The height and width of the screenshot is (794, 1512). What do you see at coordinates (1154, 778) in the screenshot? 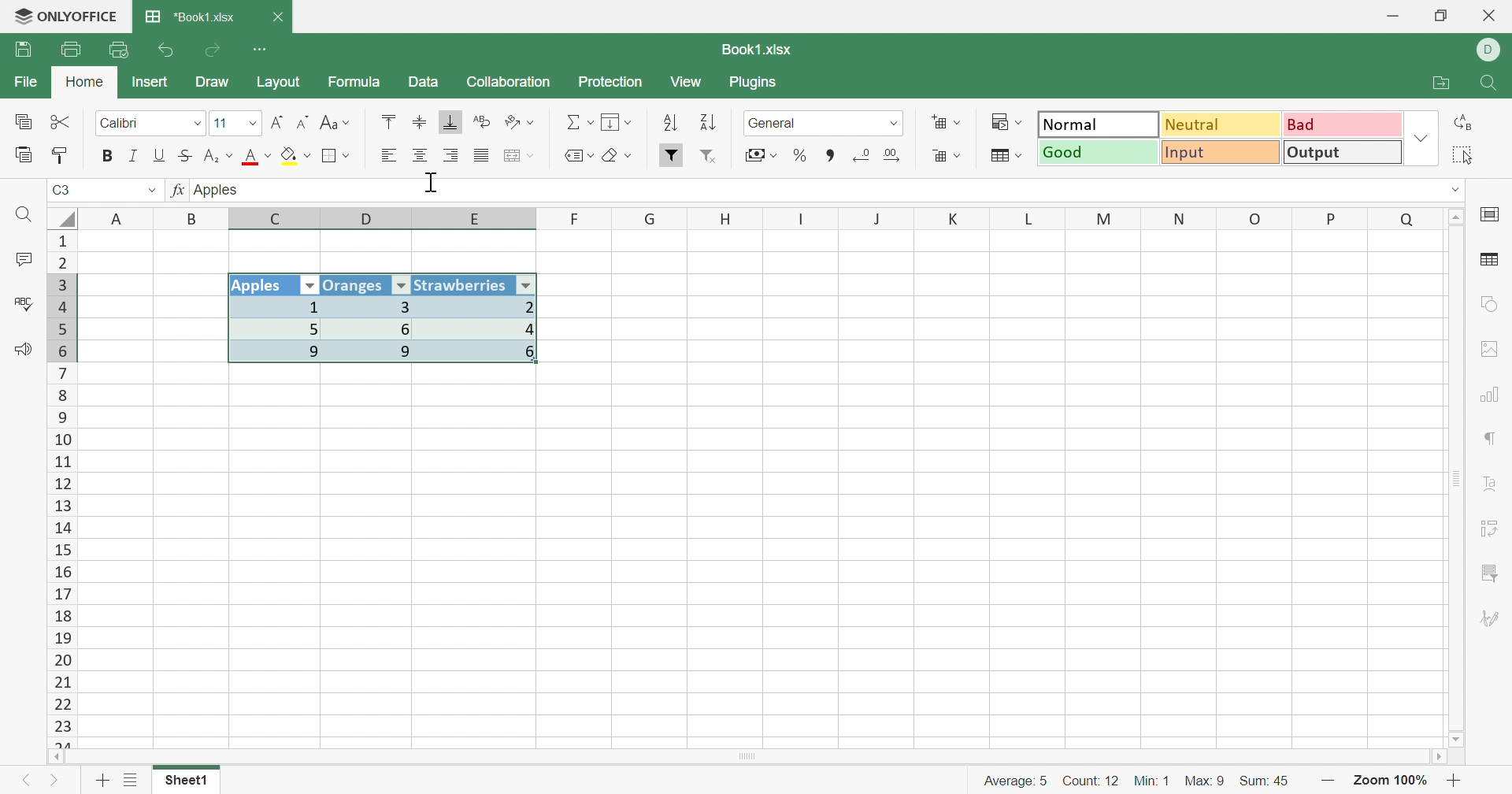
I see `Min: 1` at bounding box center [1154, 778].